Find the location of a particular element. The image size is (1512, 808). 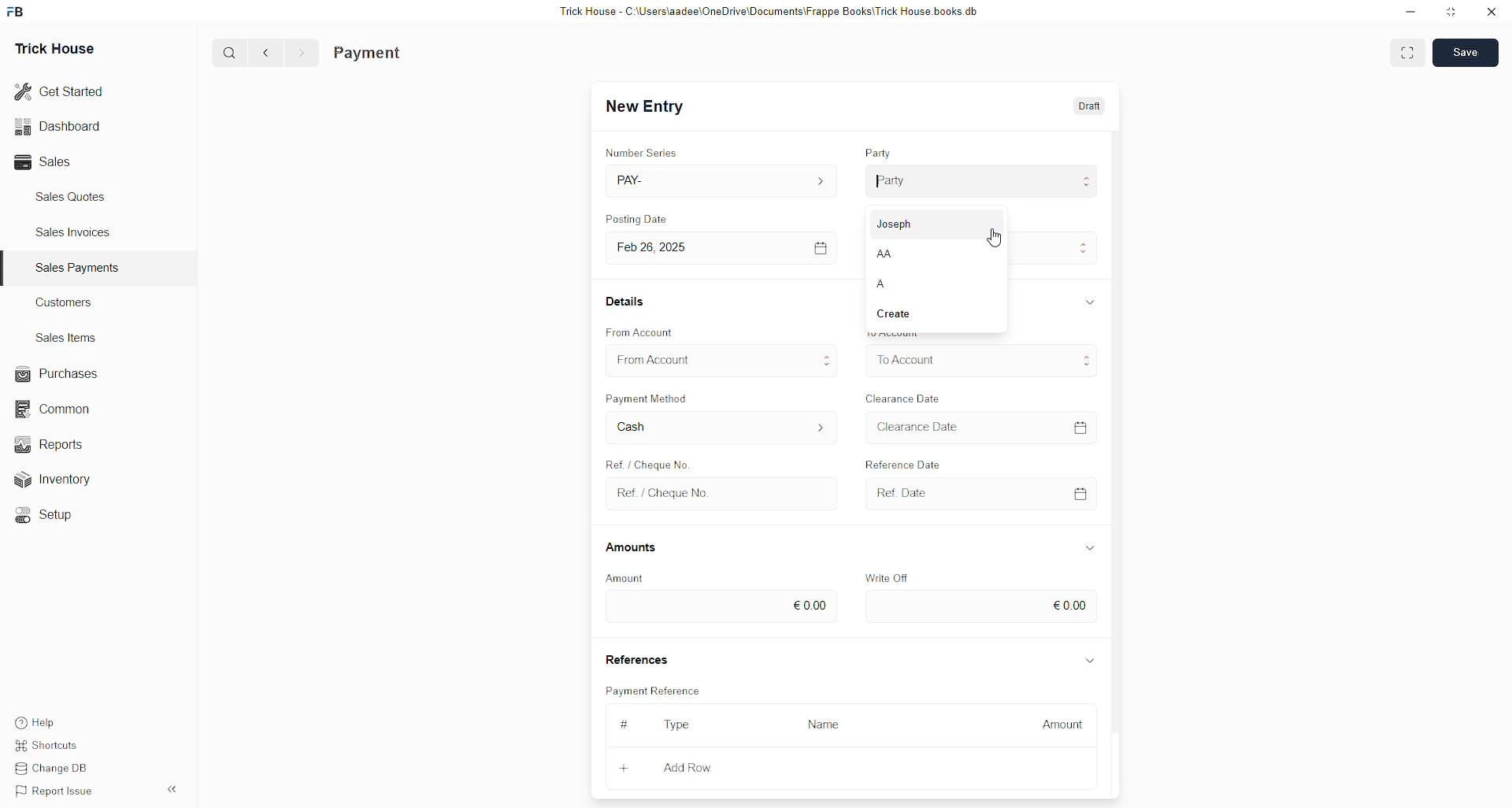

Sales Payments is located at coordinates (80, 268).